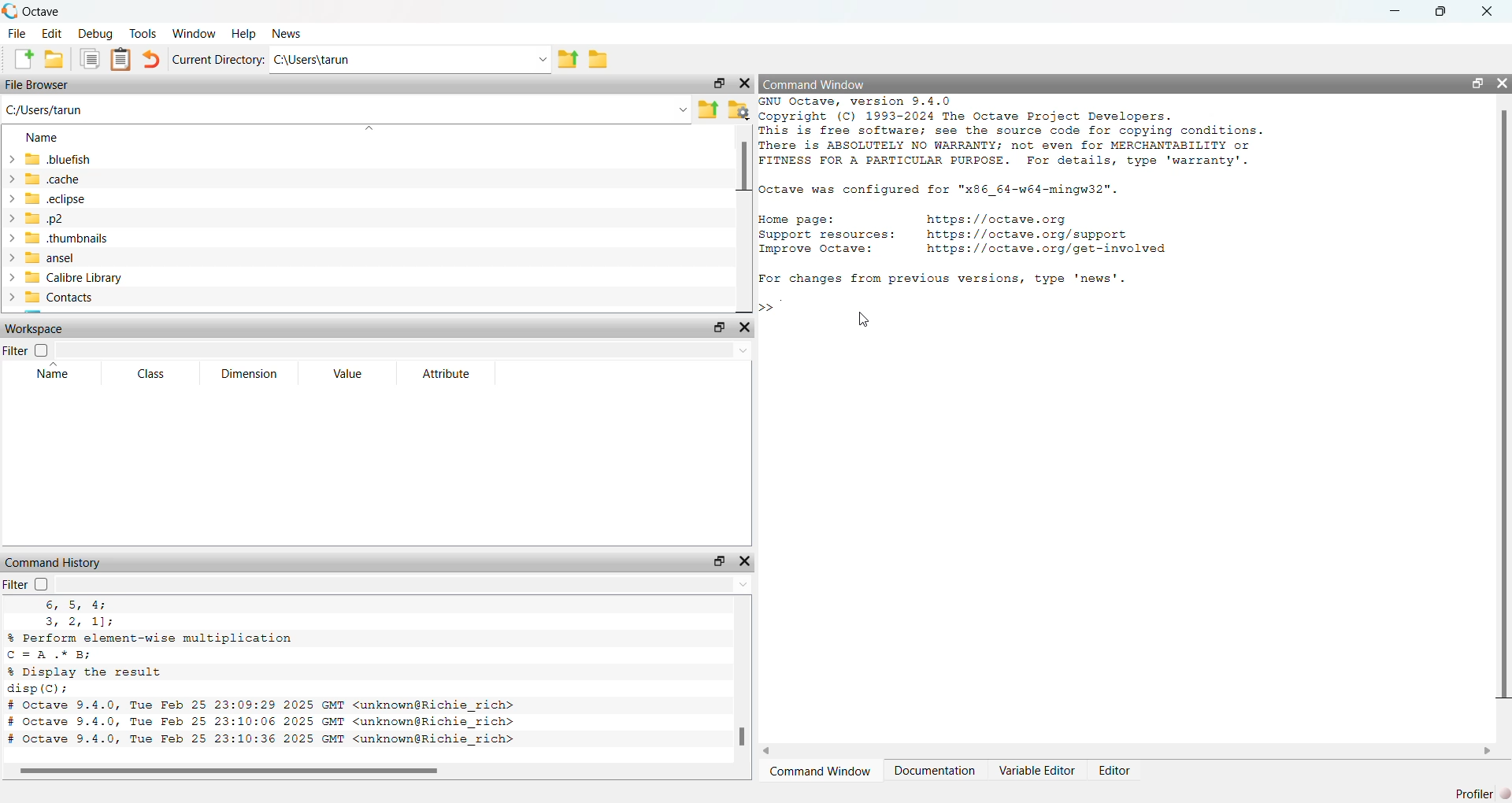 The image size is (1512, 803). Describe the element at coordinates (403, 350) in the screenshot. I see `Dropdown` at that location.